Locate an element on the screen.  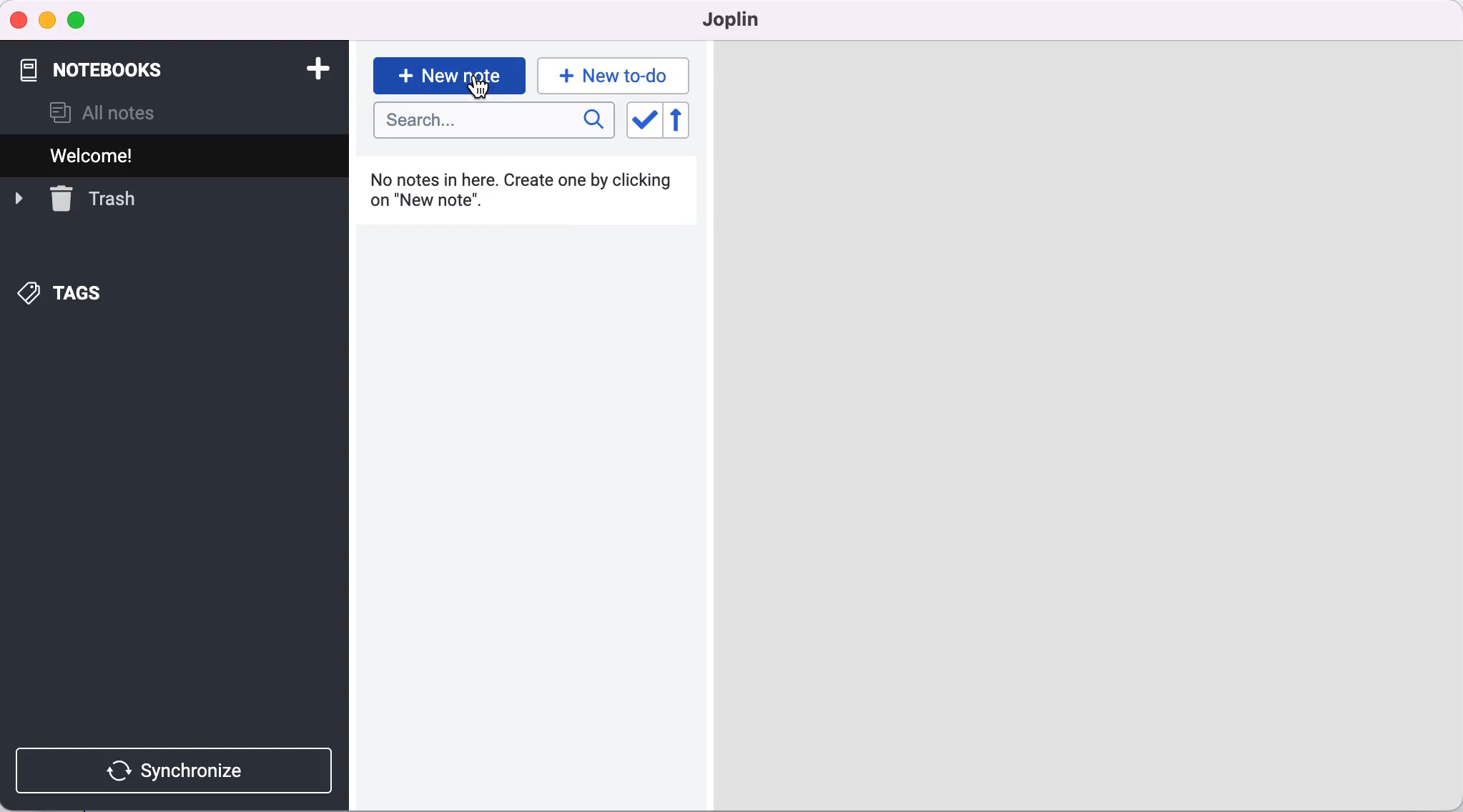
trash is located at coordinates (92, 199).